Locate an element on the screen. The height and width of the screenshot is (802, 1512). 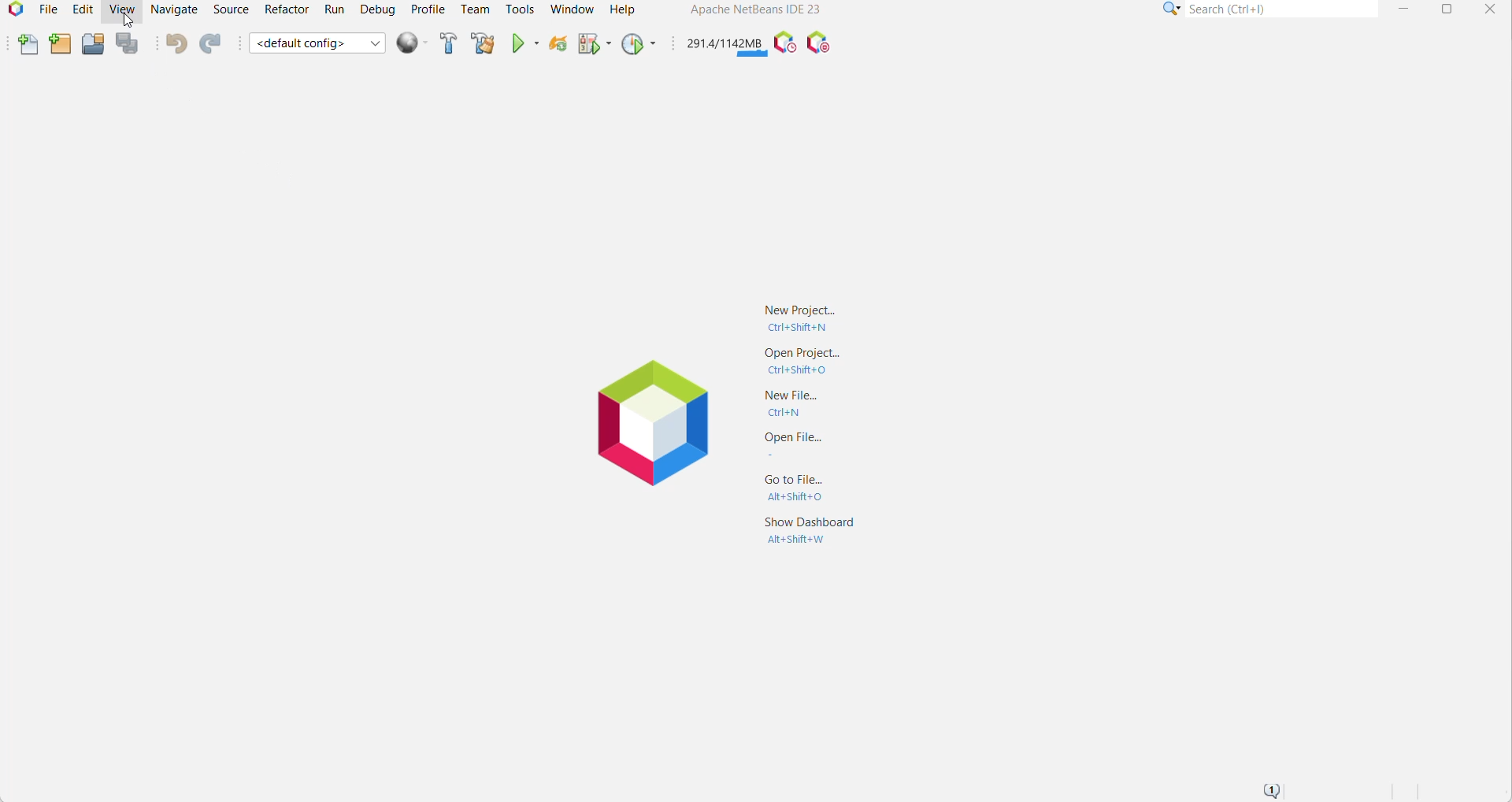
Help is located at coordinates (624, 9).